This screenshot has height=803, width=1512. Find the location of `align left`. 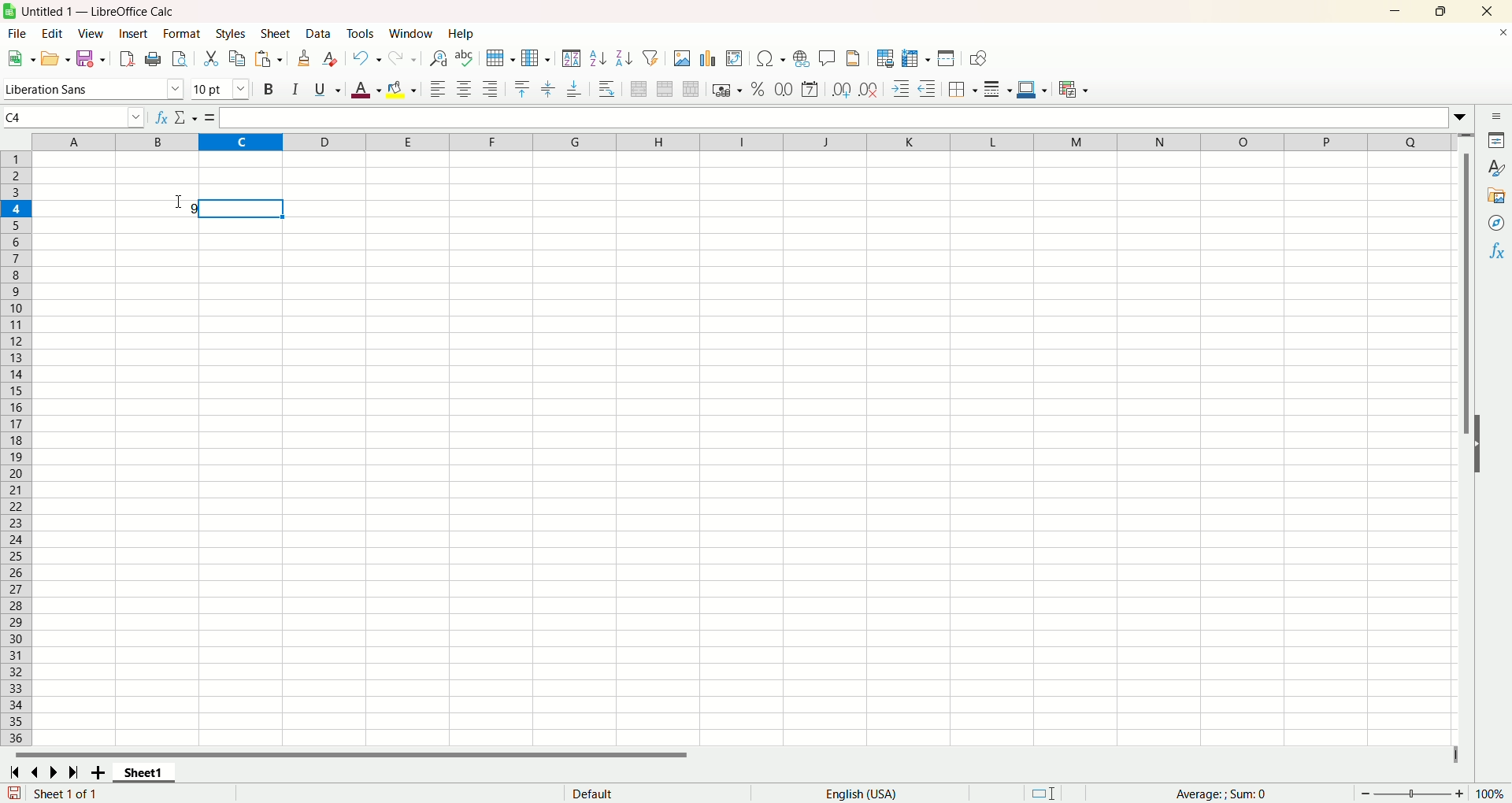

align left is located at coordinates (437, 90).